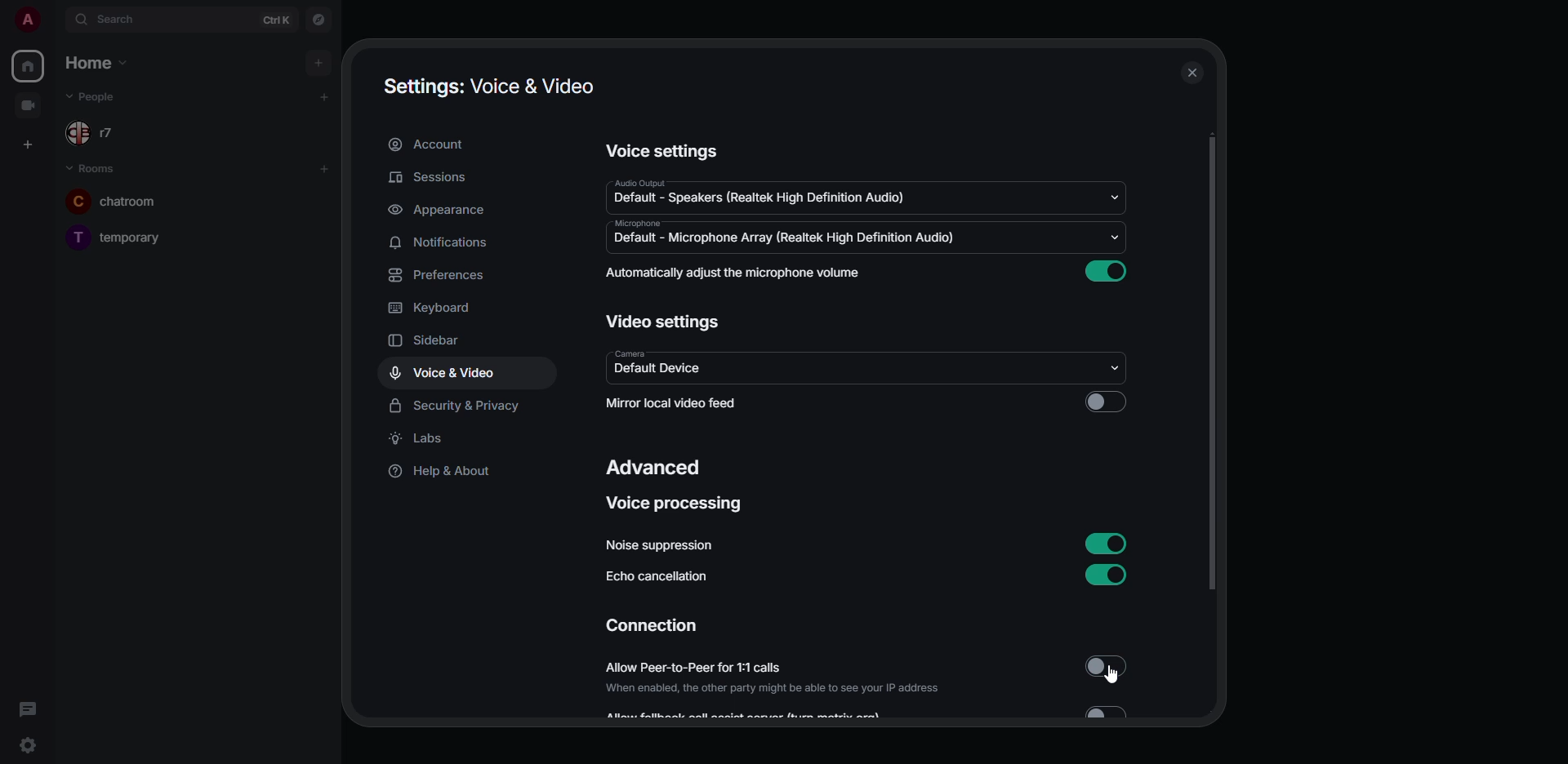 This screenshot has height=764, width=1568. I want to click on add, so click(324, 96).